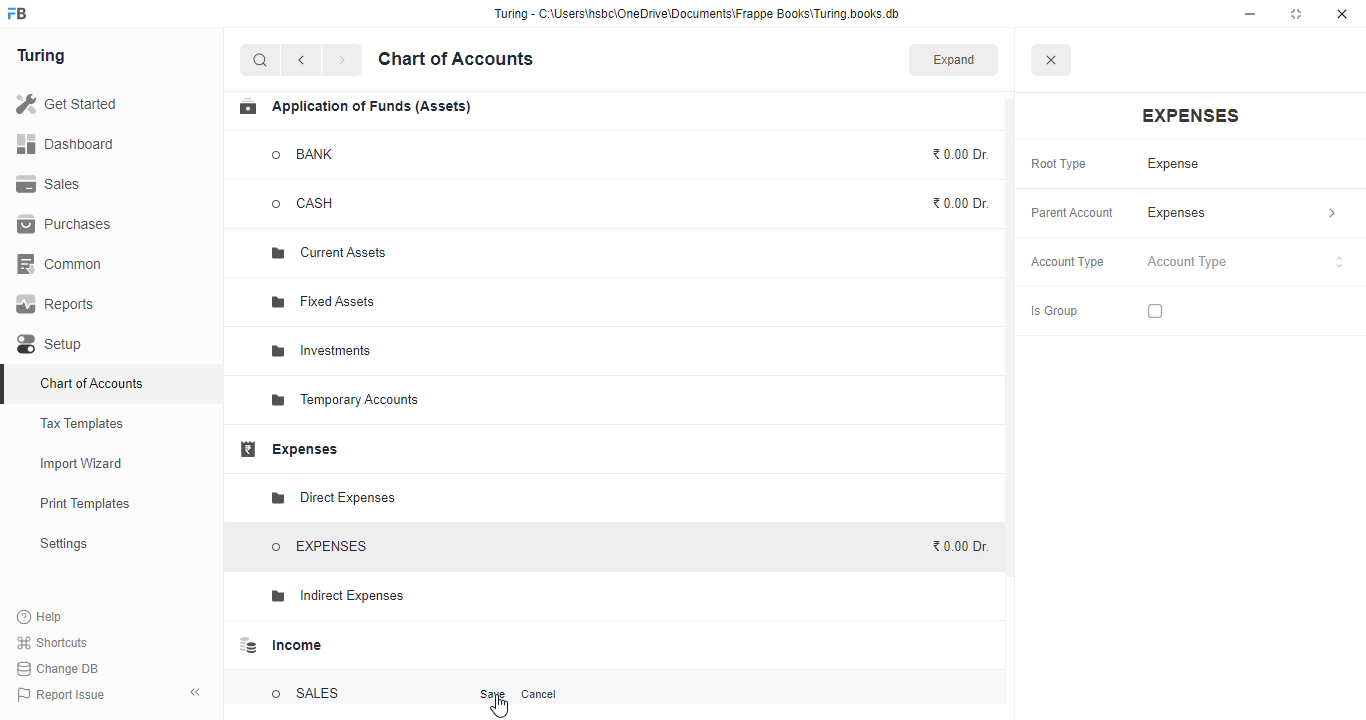  Describe the element at coordinates (1068, 262) in the screenshot. I see `account type` at that location.